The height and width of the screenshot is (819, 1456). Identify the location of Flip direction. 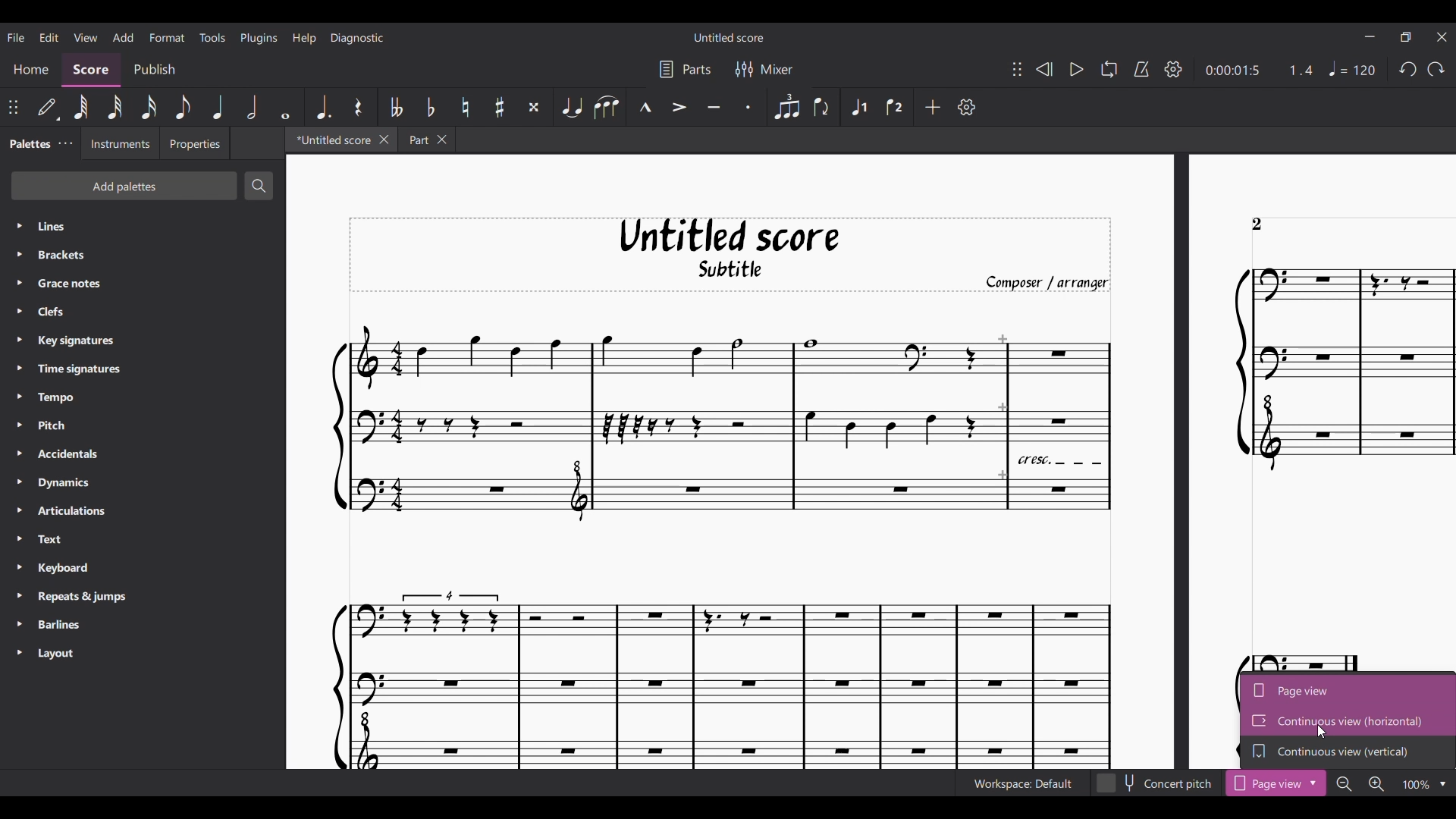
(822, 107).